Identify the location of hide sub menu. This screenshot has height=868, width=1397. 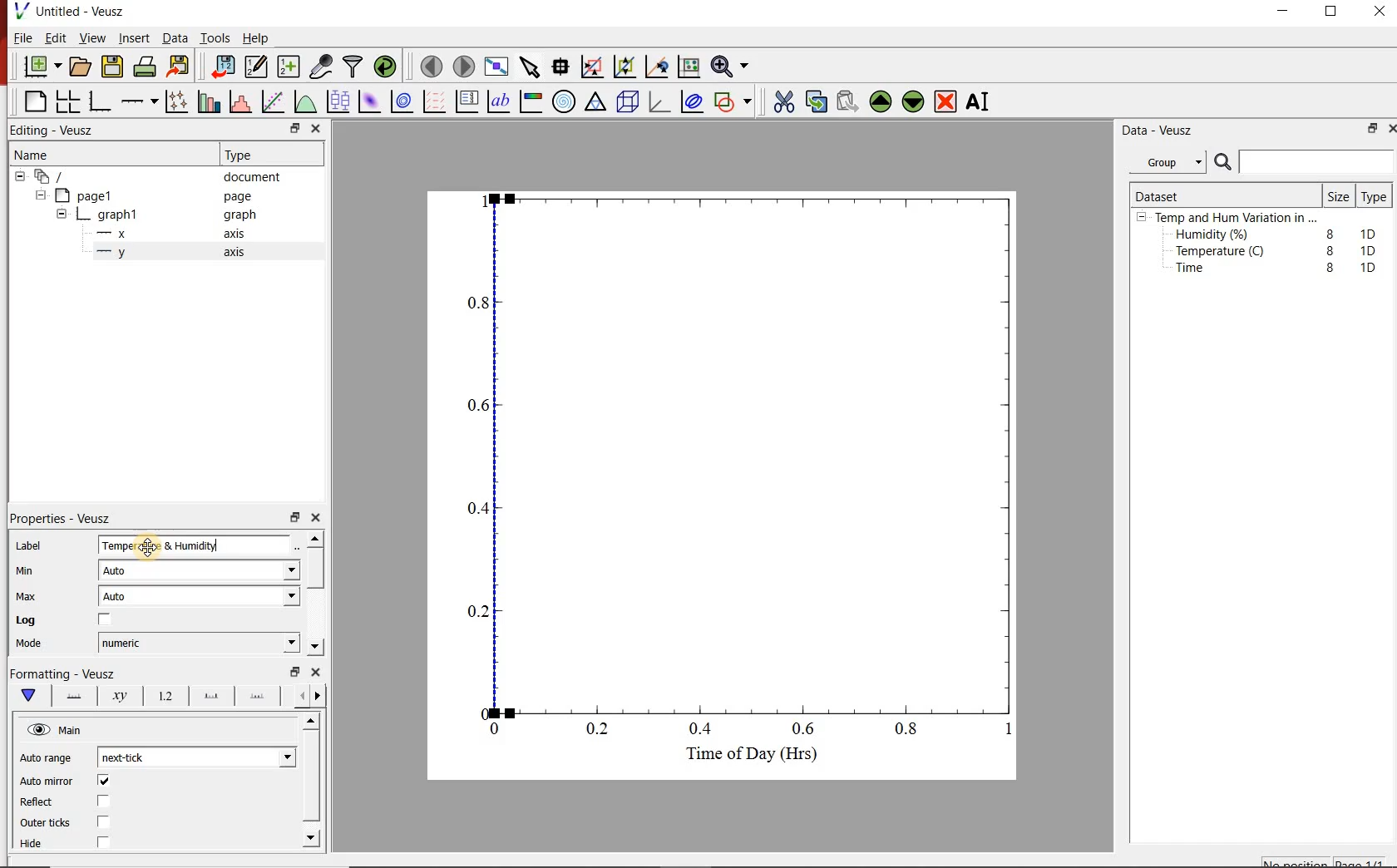
(43, 197).